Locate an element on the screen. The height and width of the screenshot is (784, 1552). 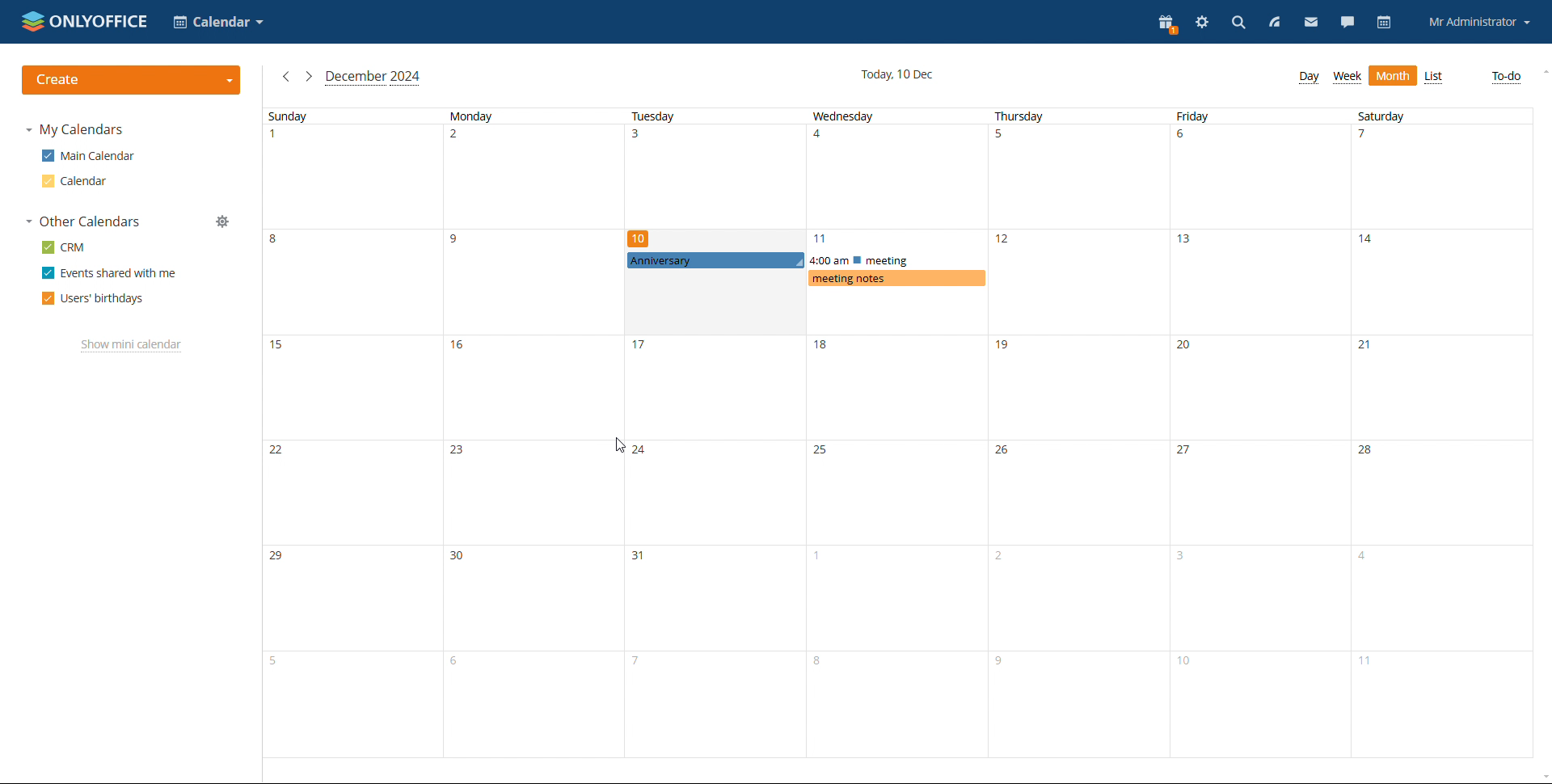
scroll up is located at coordinates (1542, 71).